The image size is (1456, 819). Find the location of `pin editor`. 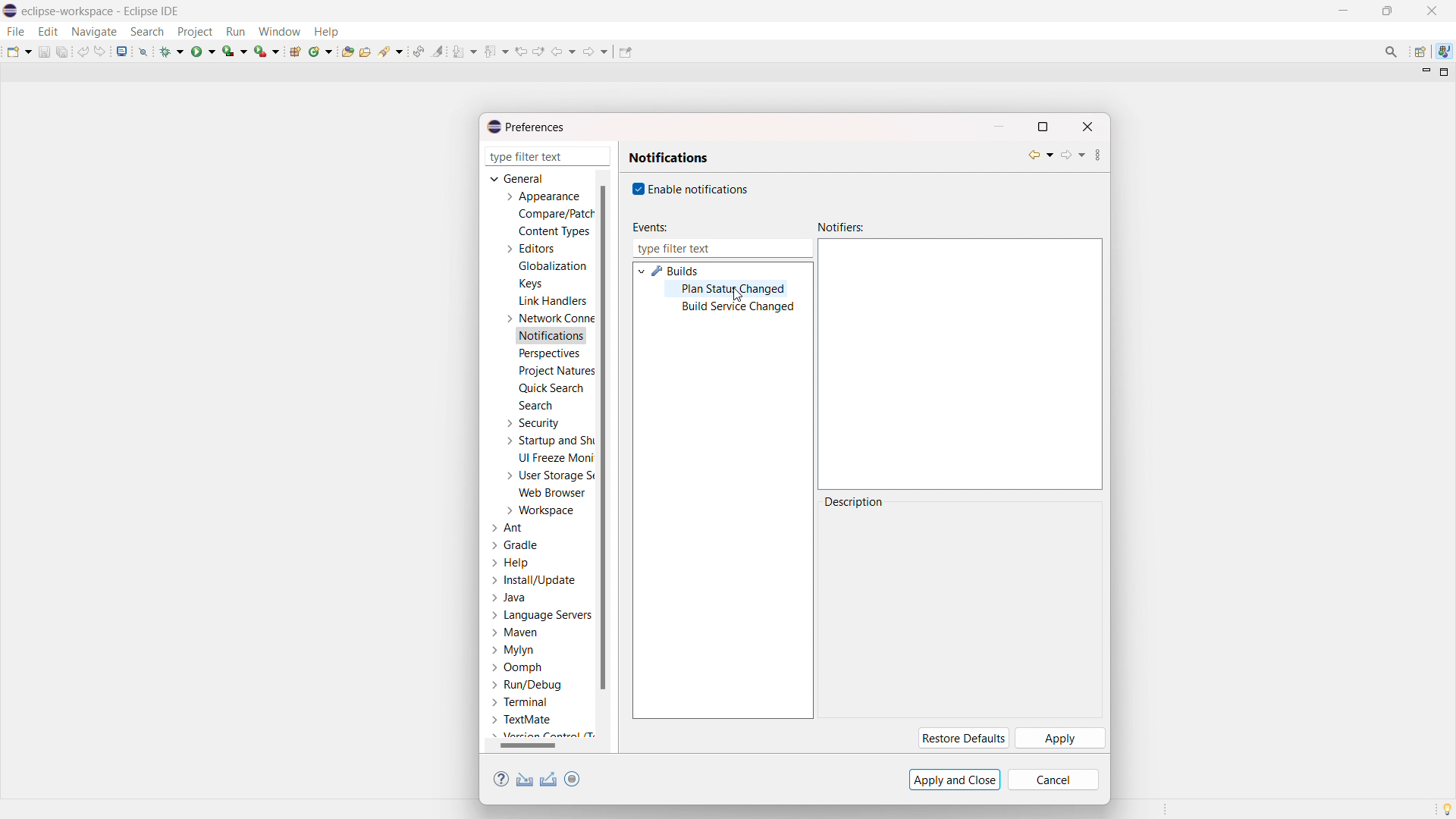

pin editor is located at coordinates (625, 52).